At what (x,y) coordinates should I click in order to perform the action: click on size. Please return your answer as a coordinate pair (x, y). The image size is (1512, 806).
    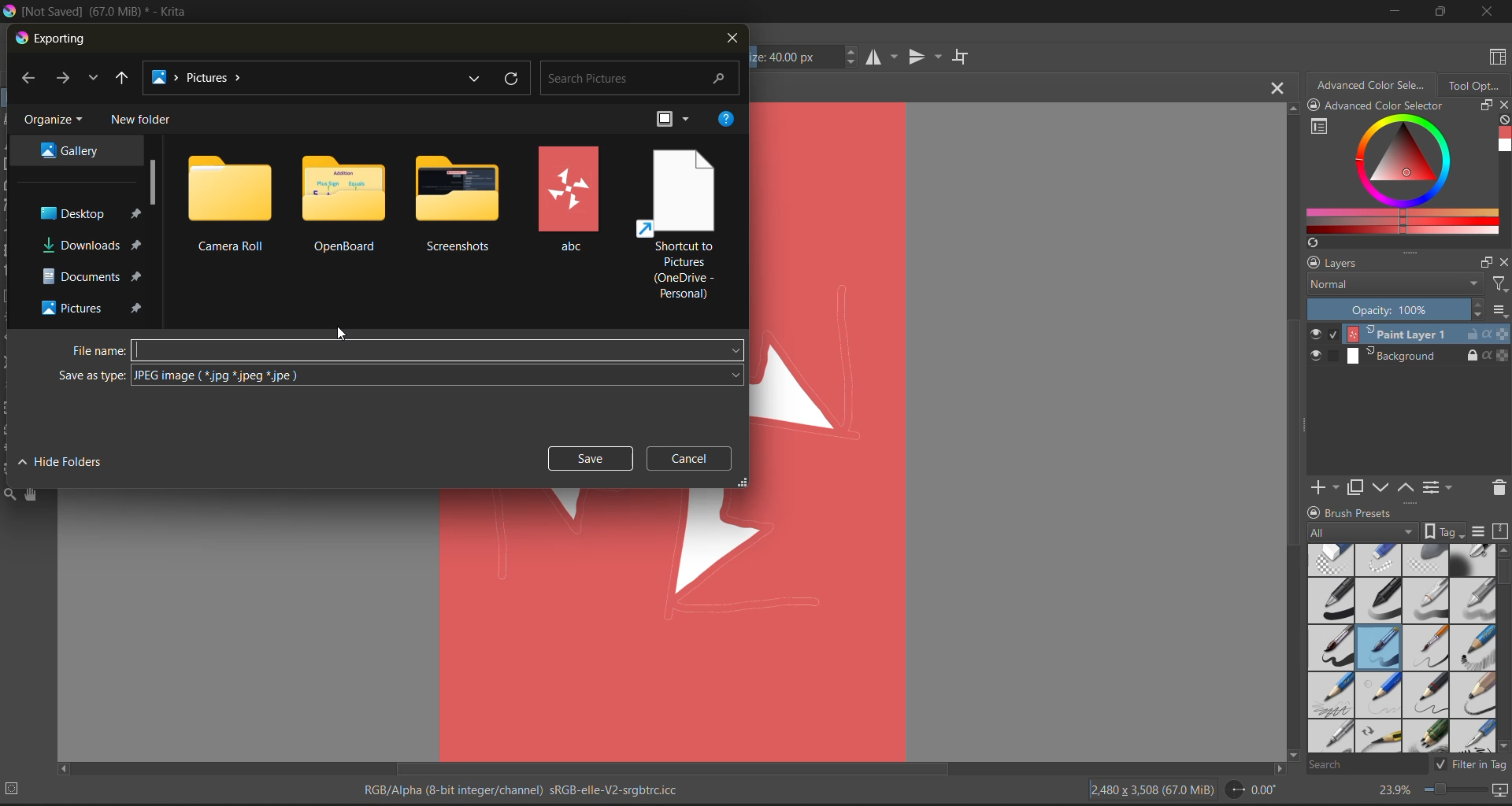
    Looking at the image, I should click on (803, 59).